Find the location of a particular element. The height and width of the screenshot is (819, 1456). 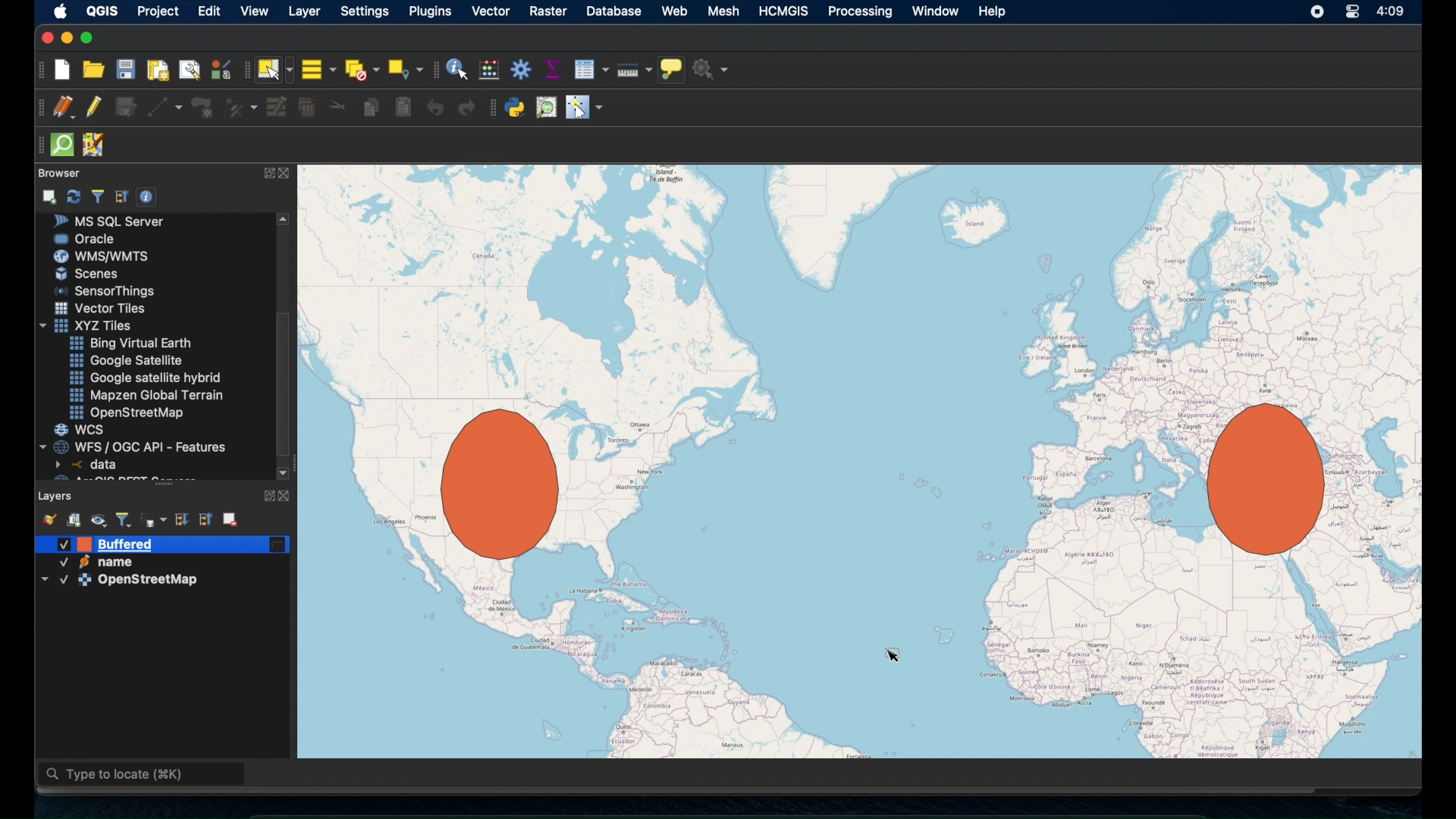

wms/wmts is located at coordinates (101, 256).